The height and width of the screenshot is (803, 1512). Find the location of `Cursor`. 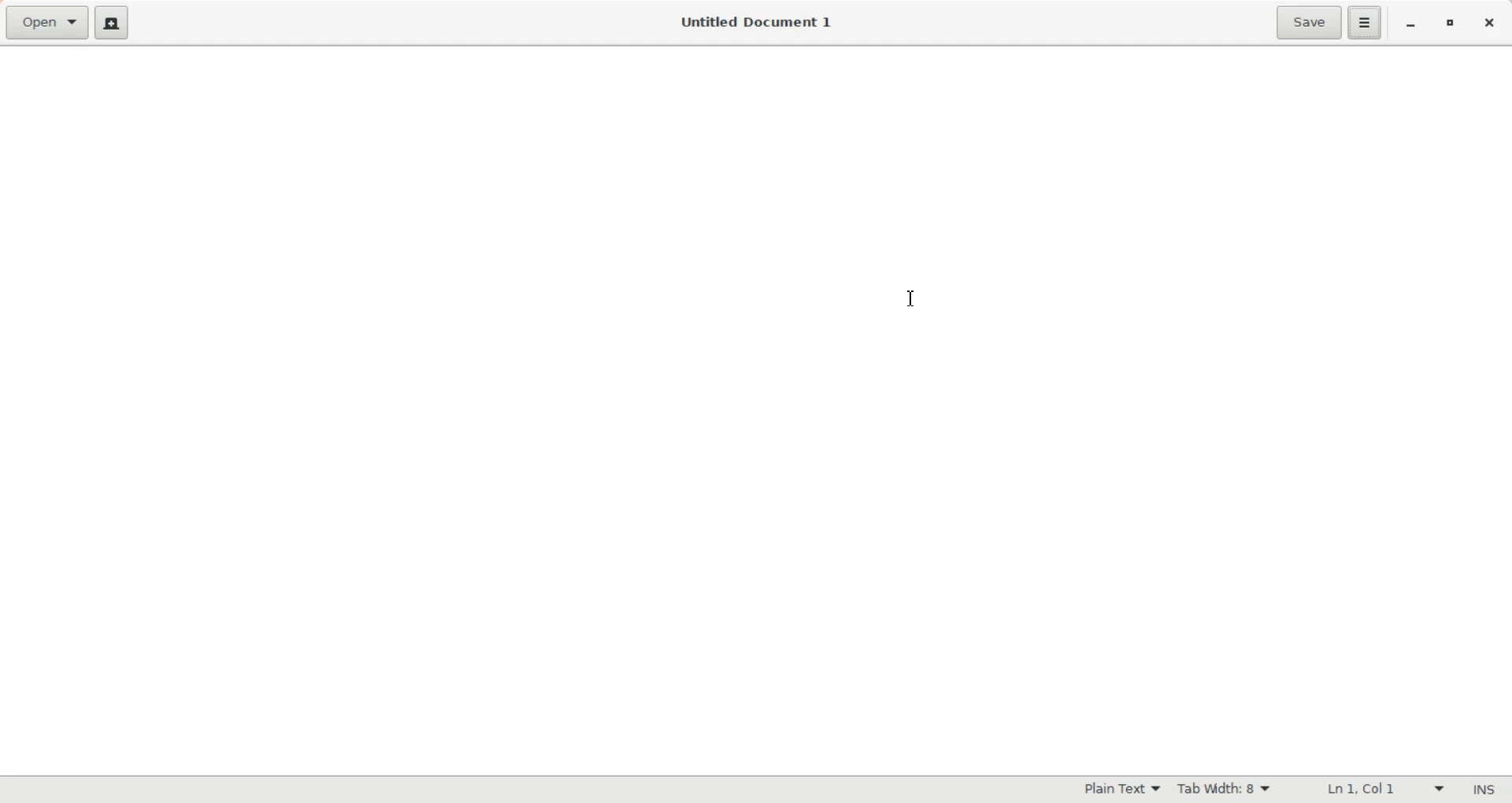

Cursor is located at coordinates (910, 300).